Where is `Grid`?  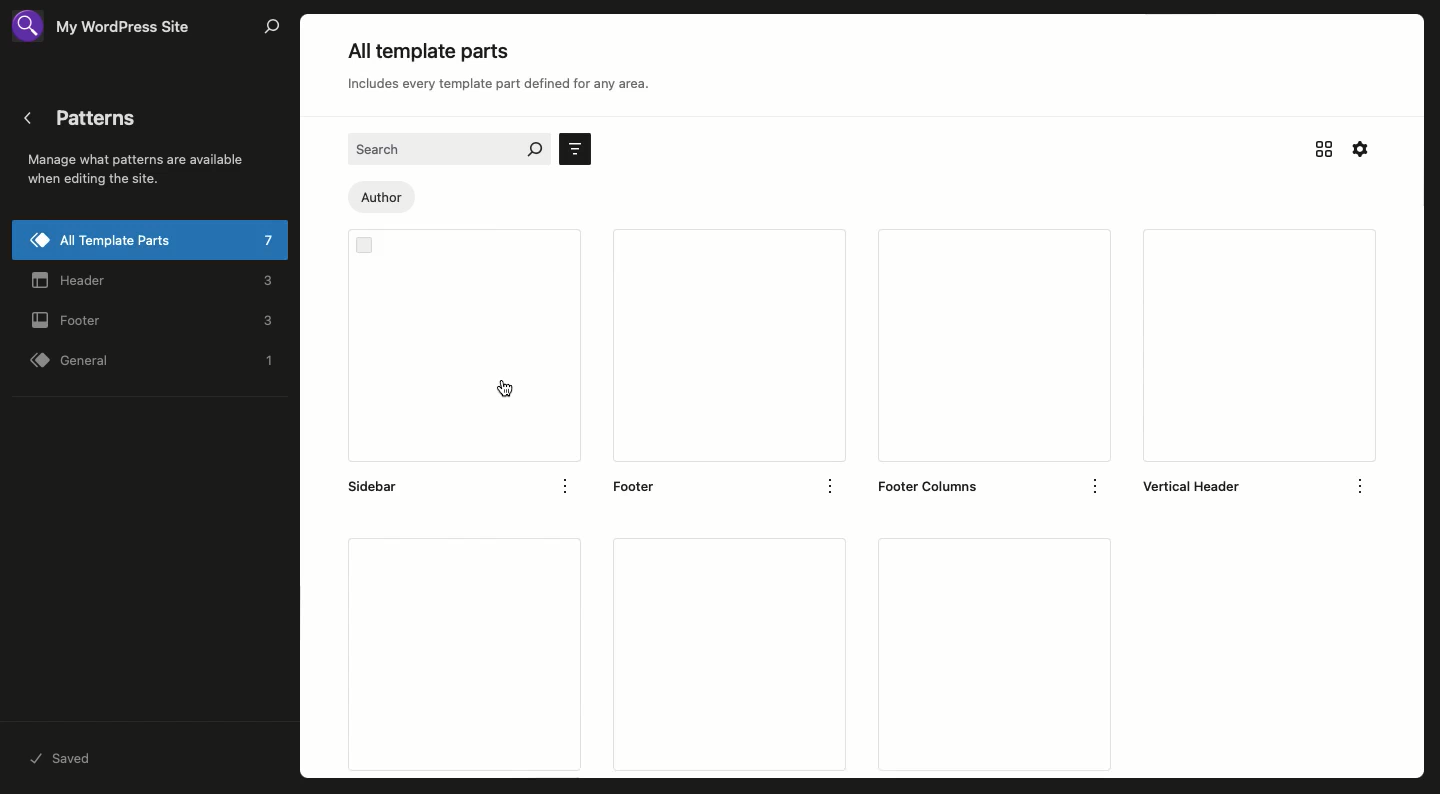 Grid is located at coordinates (1325, 149).